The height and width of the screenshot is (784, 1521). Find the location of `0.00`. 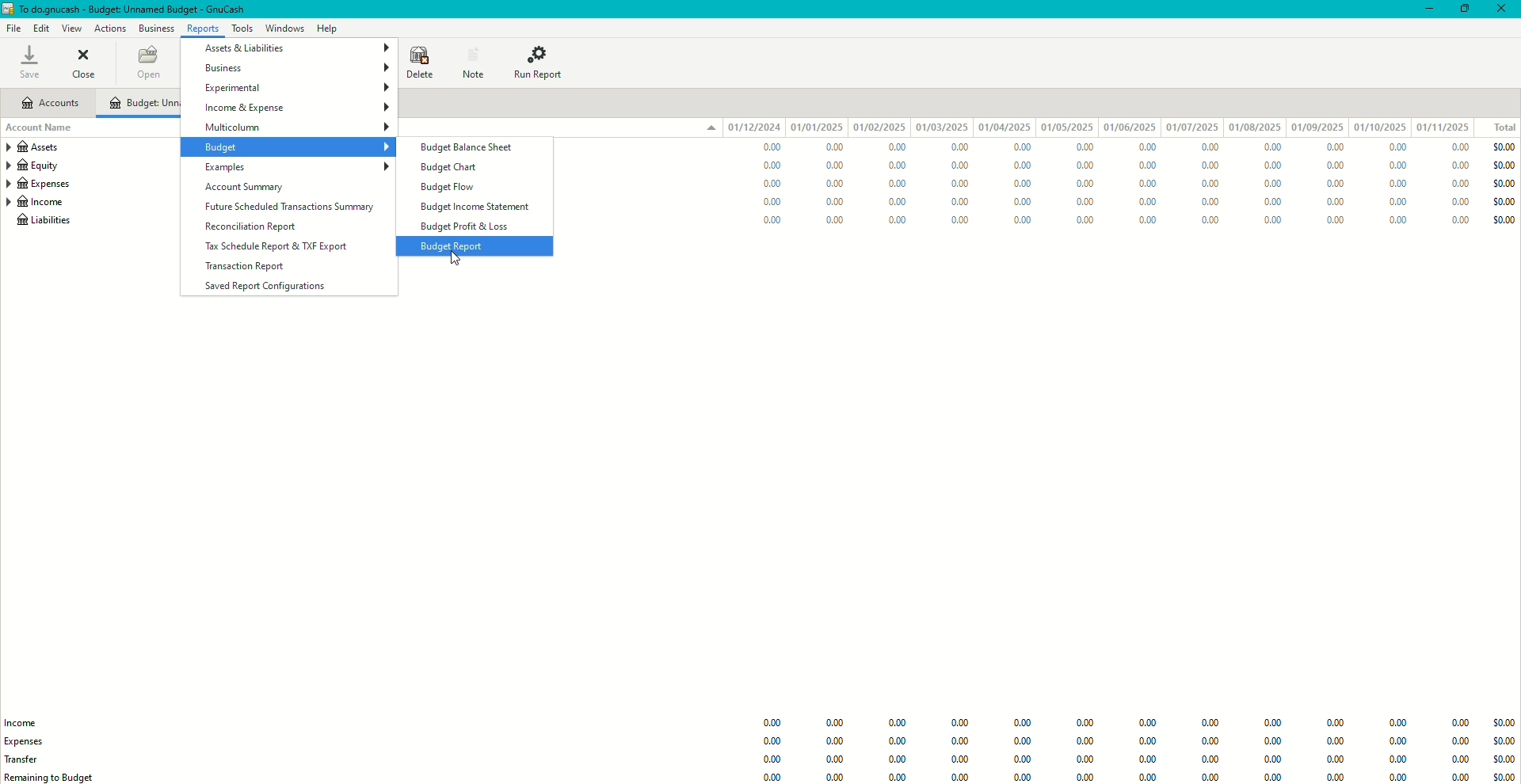

0.00 is located at coordinates (768, 147).